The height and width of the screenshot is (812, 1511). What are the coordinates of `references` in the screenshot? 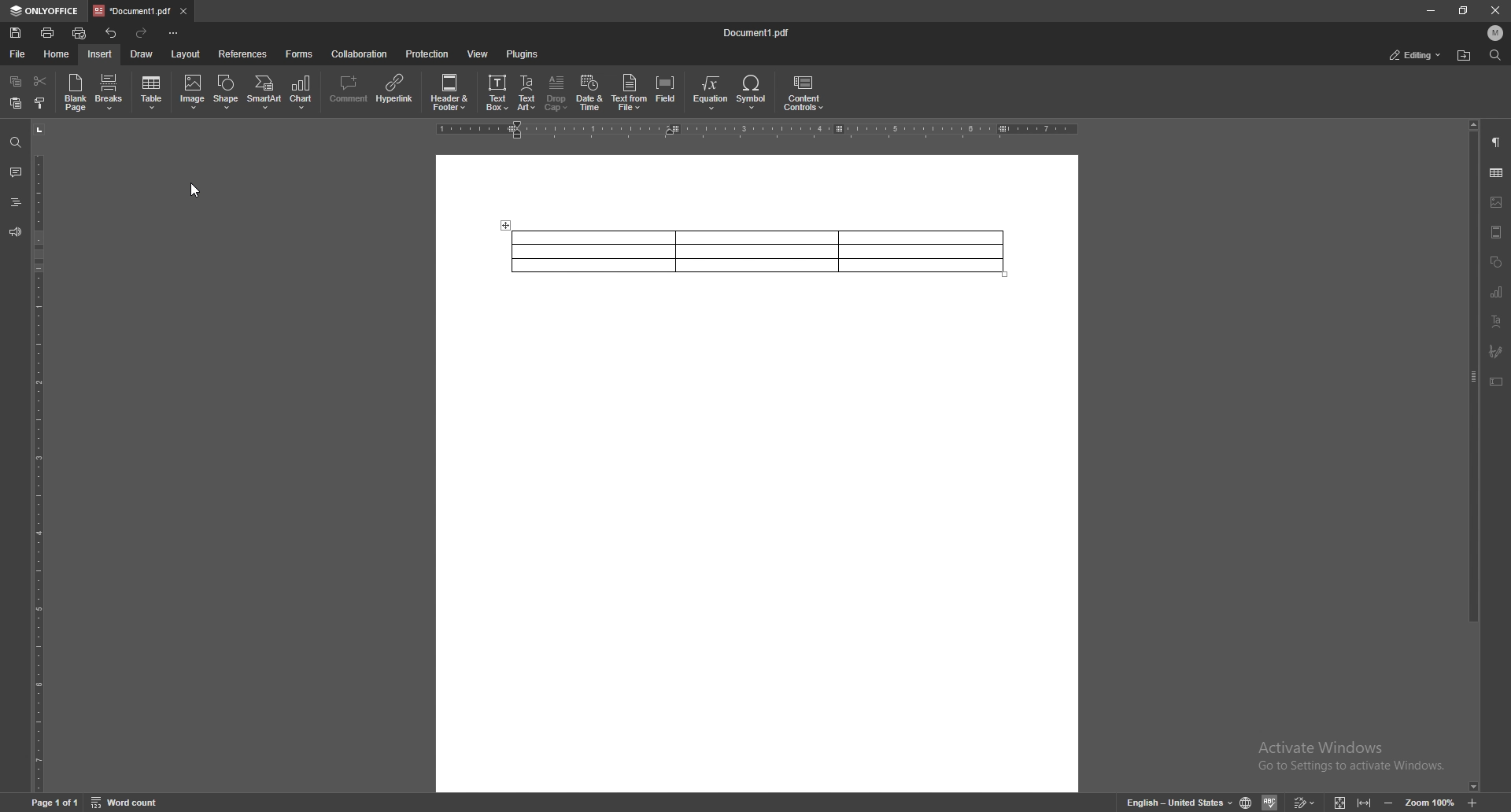 It's located at (244, 54).